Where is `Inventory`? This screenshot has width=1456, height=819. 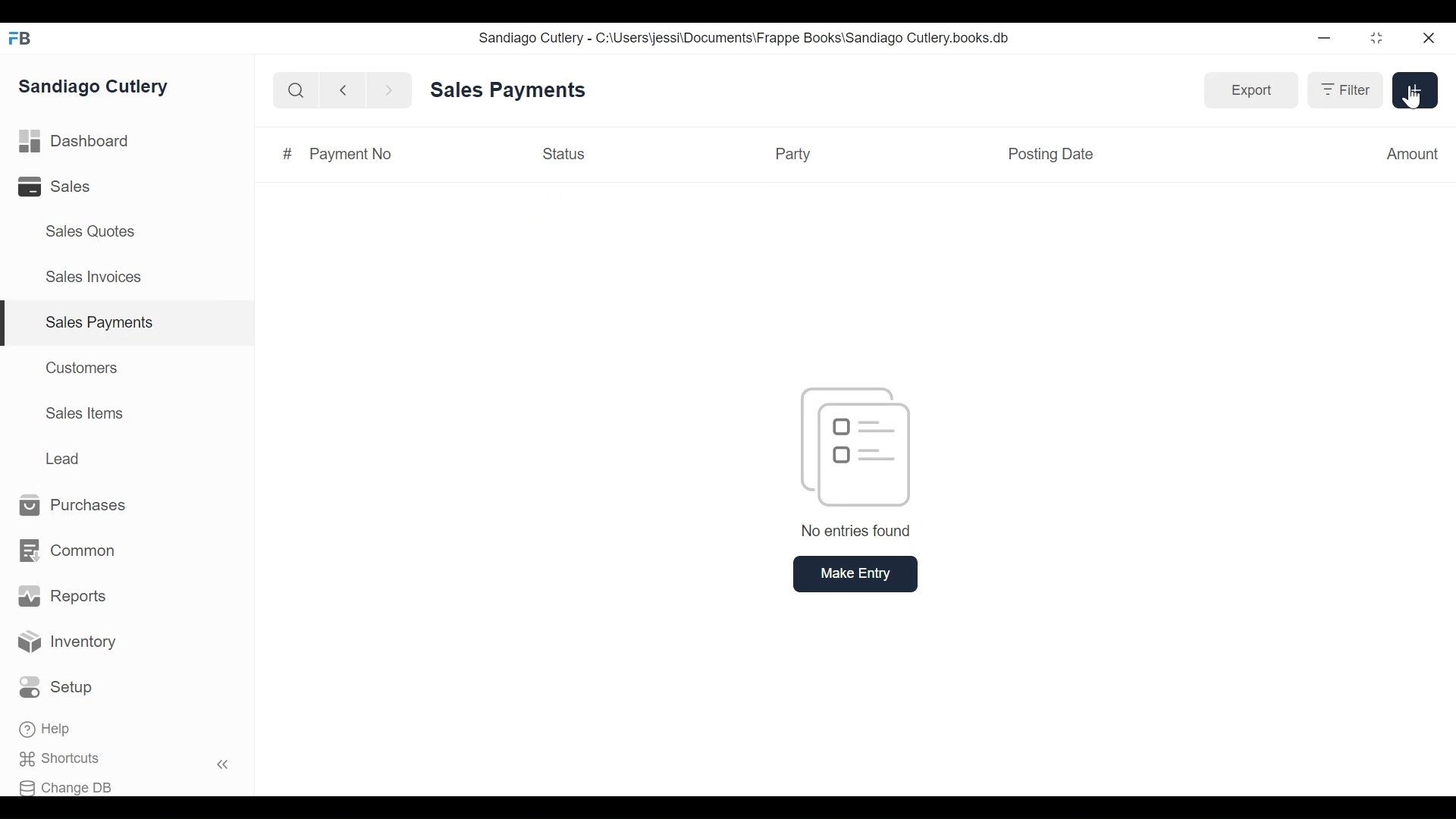 Inventory is located at coordinates (68, 642).